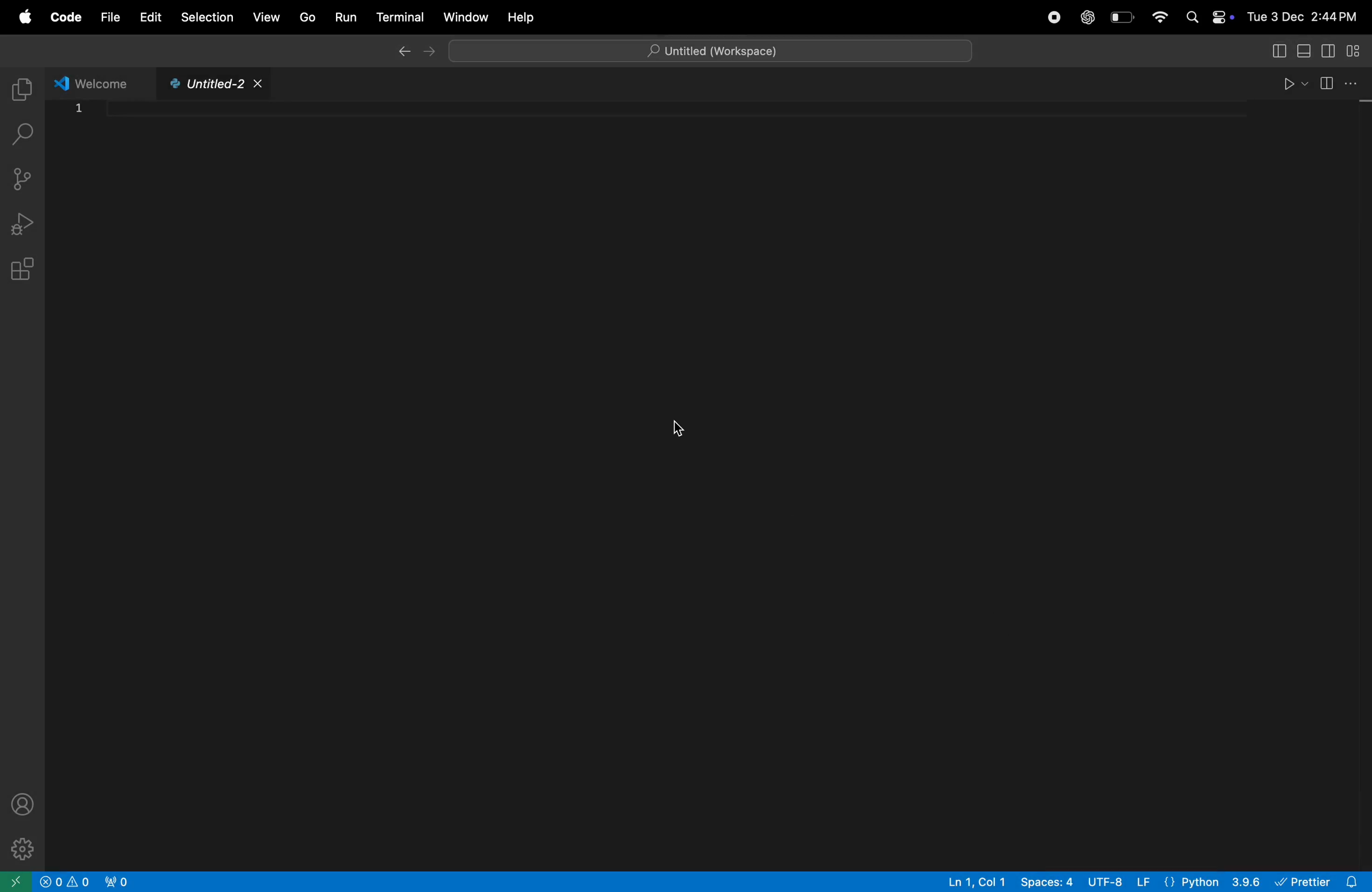  Describe the element at coordinates (268, 17) in the screenshot. I see `view` at that location.